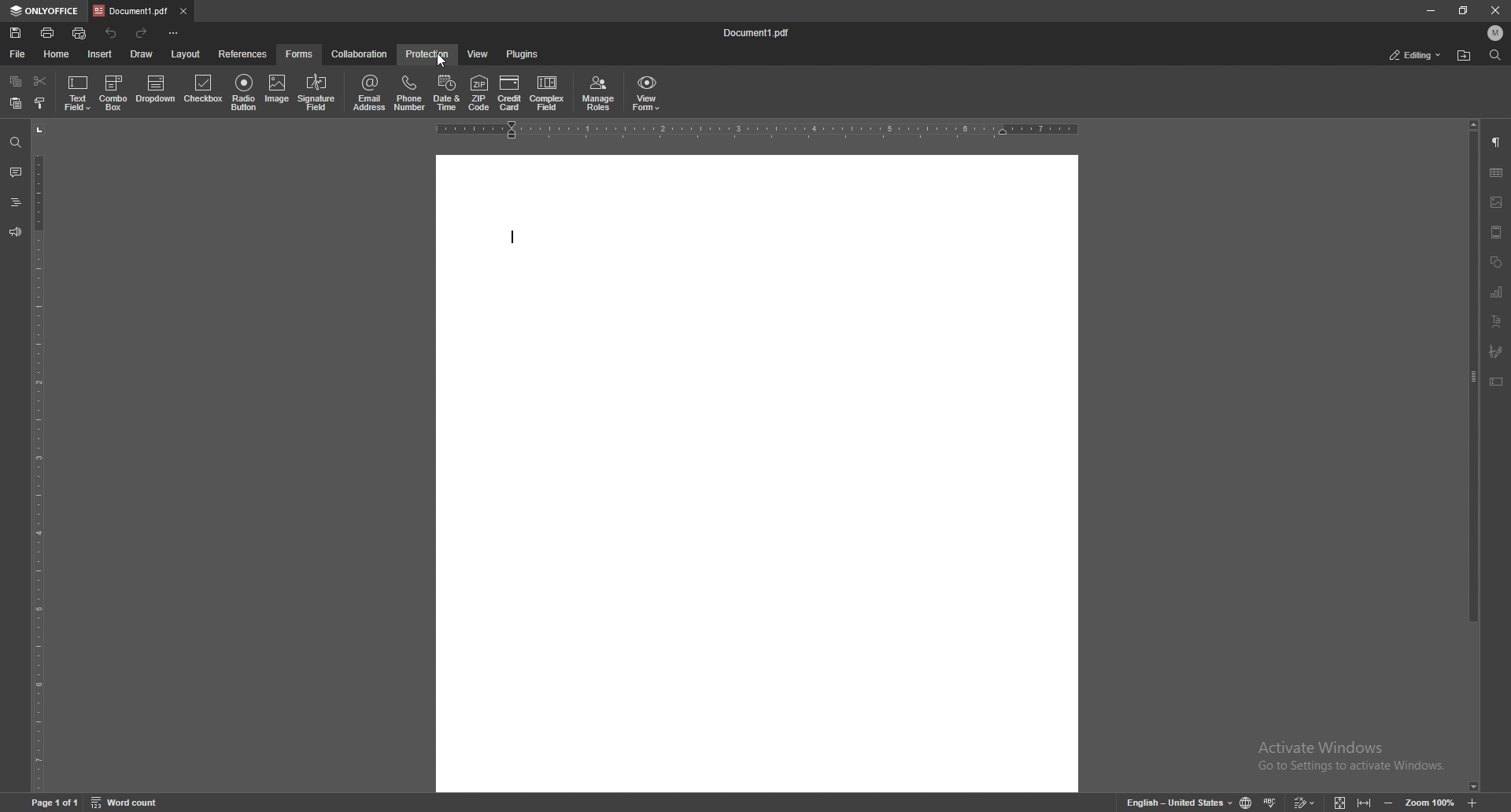 Image resolution: width=1511 pixels, height=812 pixels. Describe the element at coordinates (15, 82) in the screenshot. I see `copy` at that location.